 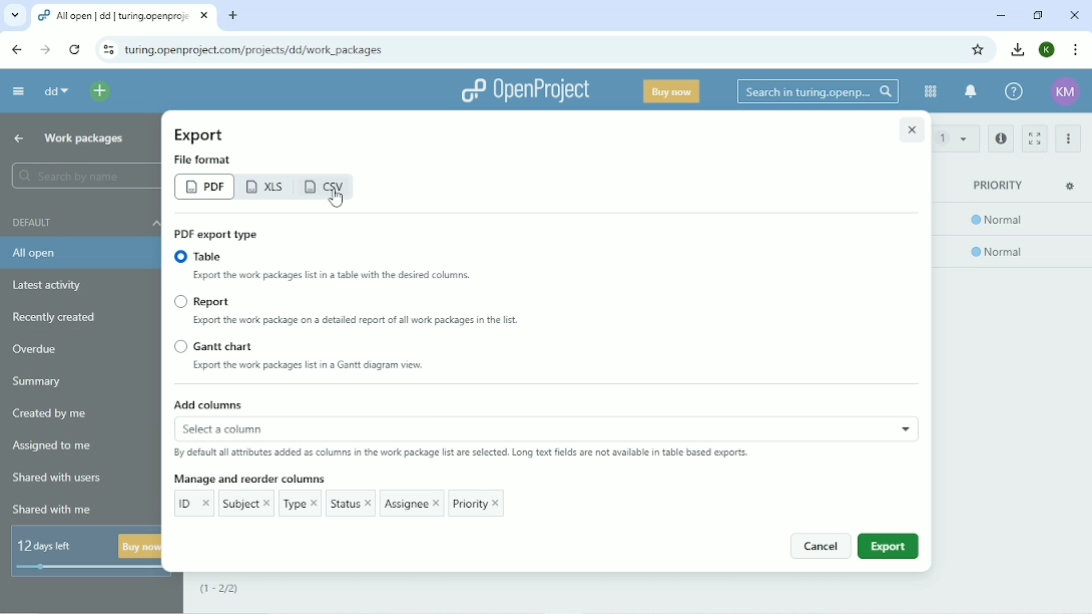 What do you see at coordinates (231, 591) in the screenshot?
I see `(1-2/2)` at bounding box center [231, 591].